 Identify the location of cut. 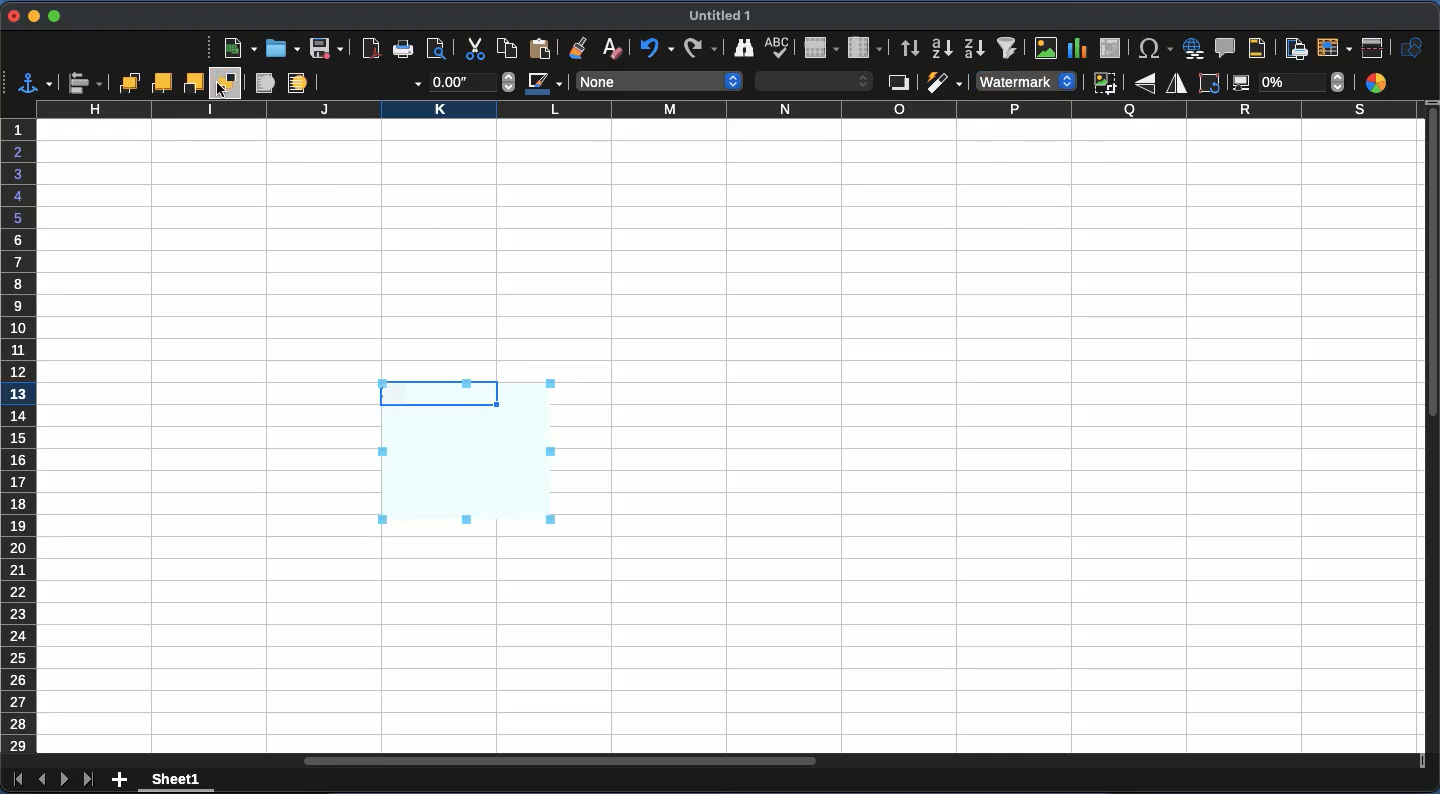
(472, 50).